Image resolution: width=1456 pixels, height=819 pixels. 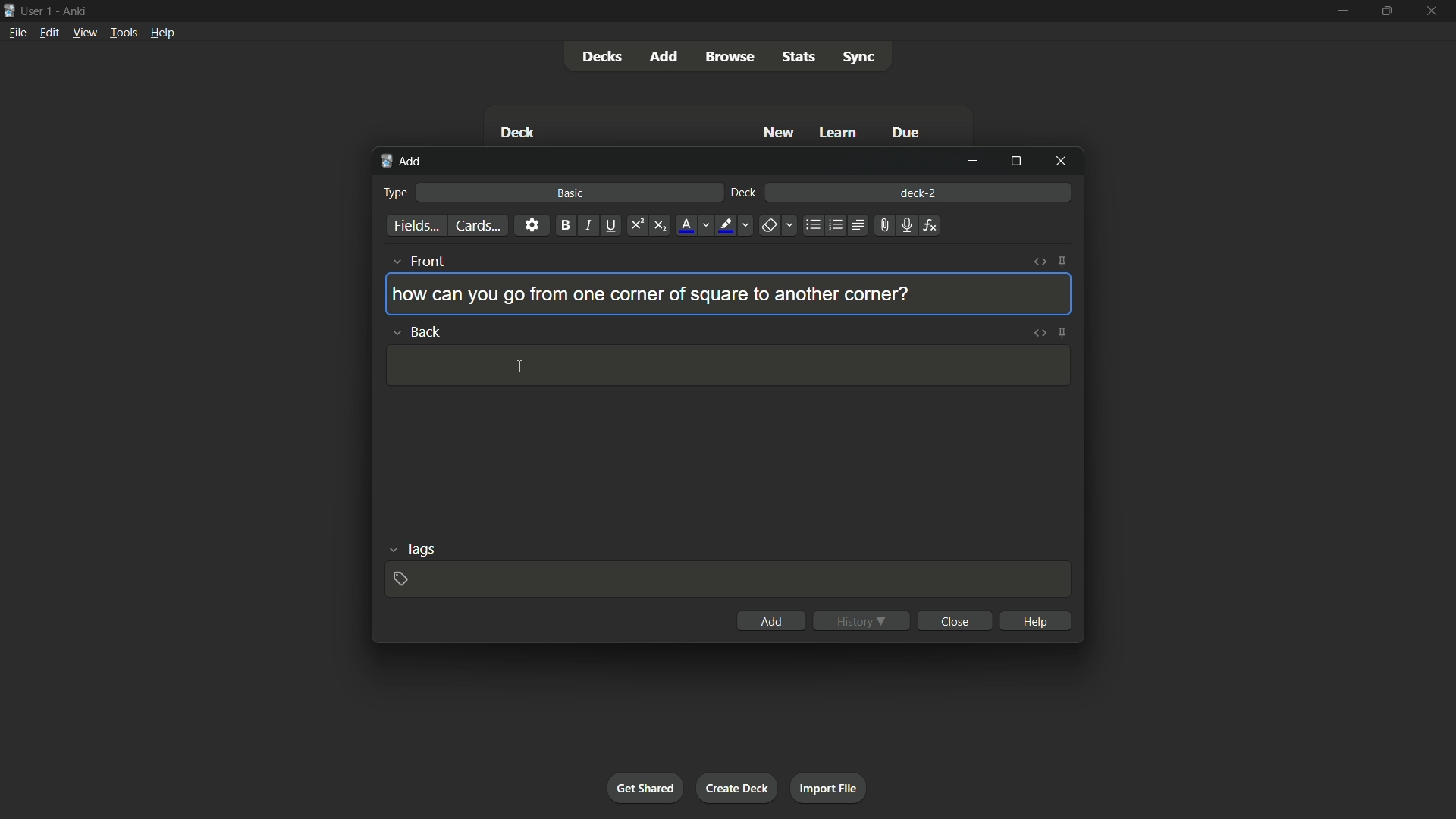 I want to click on help, so click(x=1034, y=620).